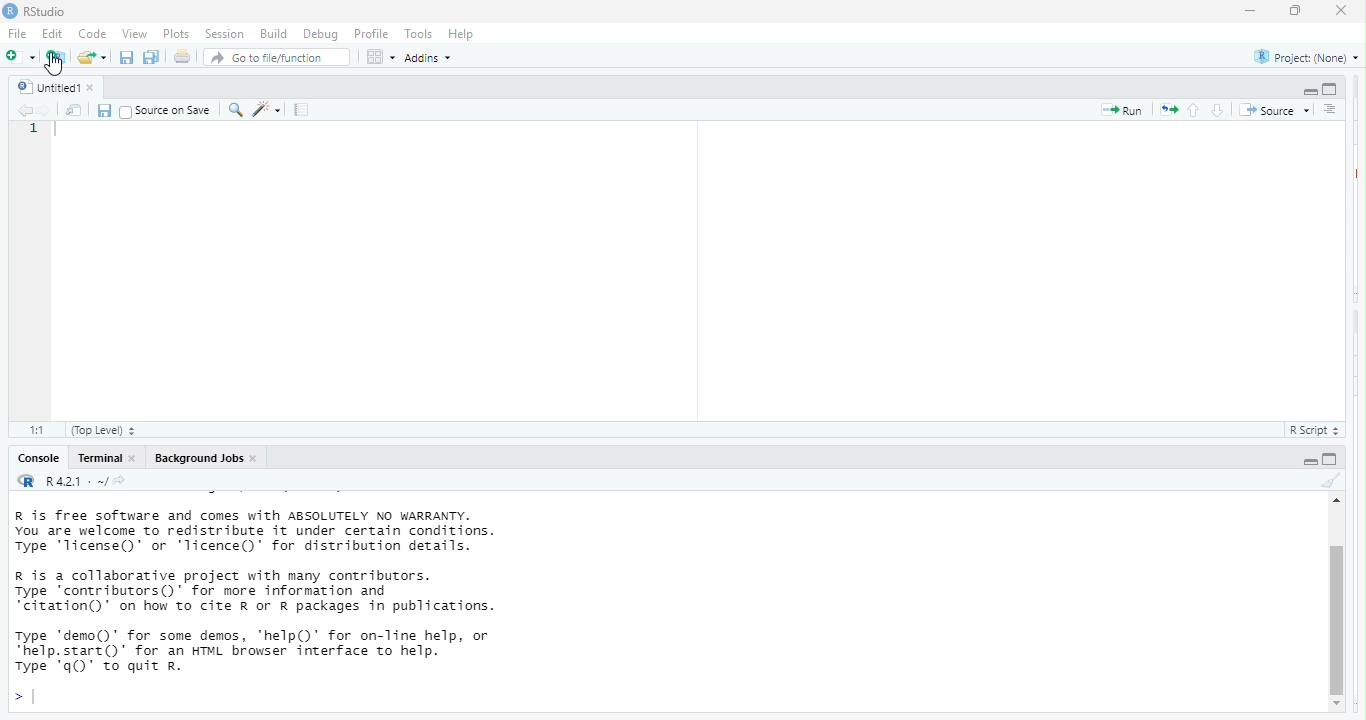 Image resolution: width=1366 pixels, height=720 pixels. What do you see at coordinates (1307, 91) in the screenshot?
I see `hide r script` at bounding box center [1307, 91].